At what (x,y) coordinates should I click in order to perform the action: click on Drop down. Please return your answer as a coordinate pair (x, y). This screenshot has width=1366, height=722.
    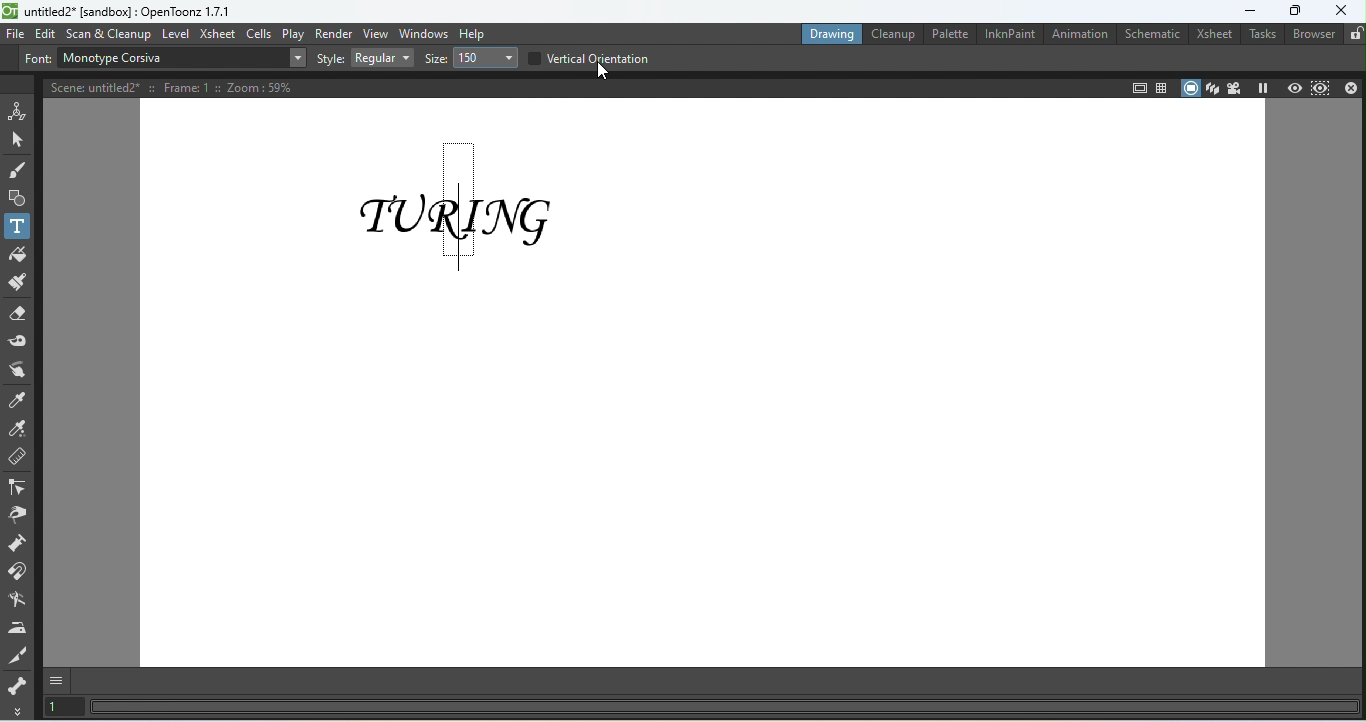
    Looking at the image, I should click on (483, 59).